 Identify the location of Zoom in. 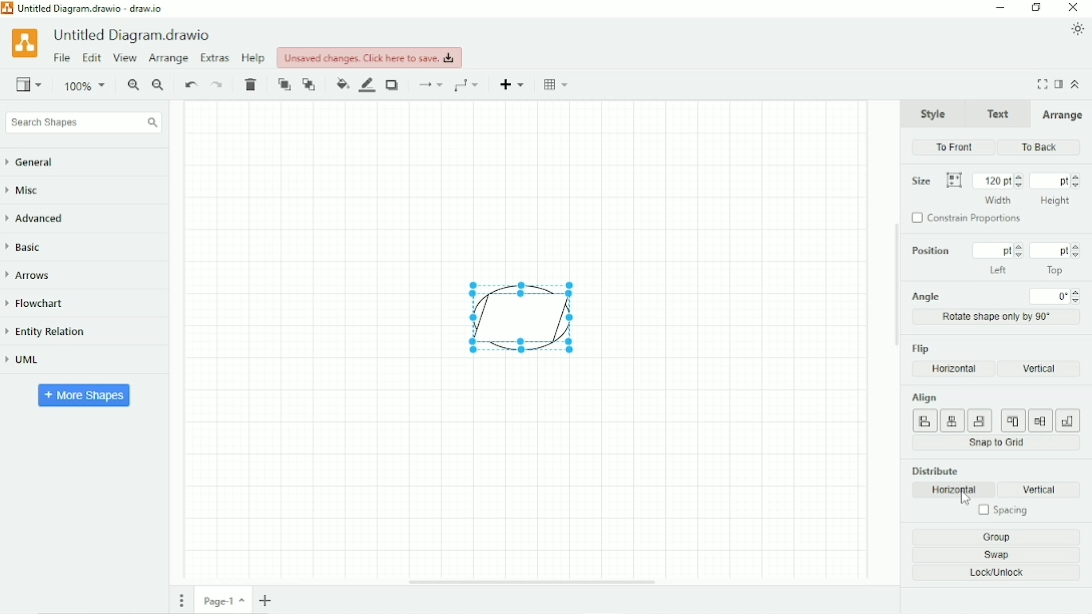
(133, 86).